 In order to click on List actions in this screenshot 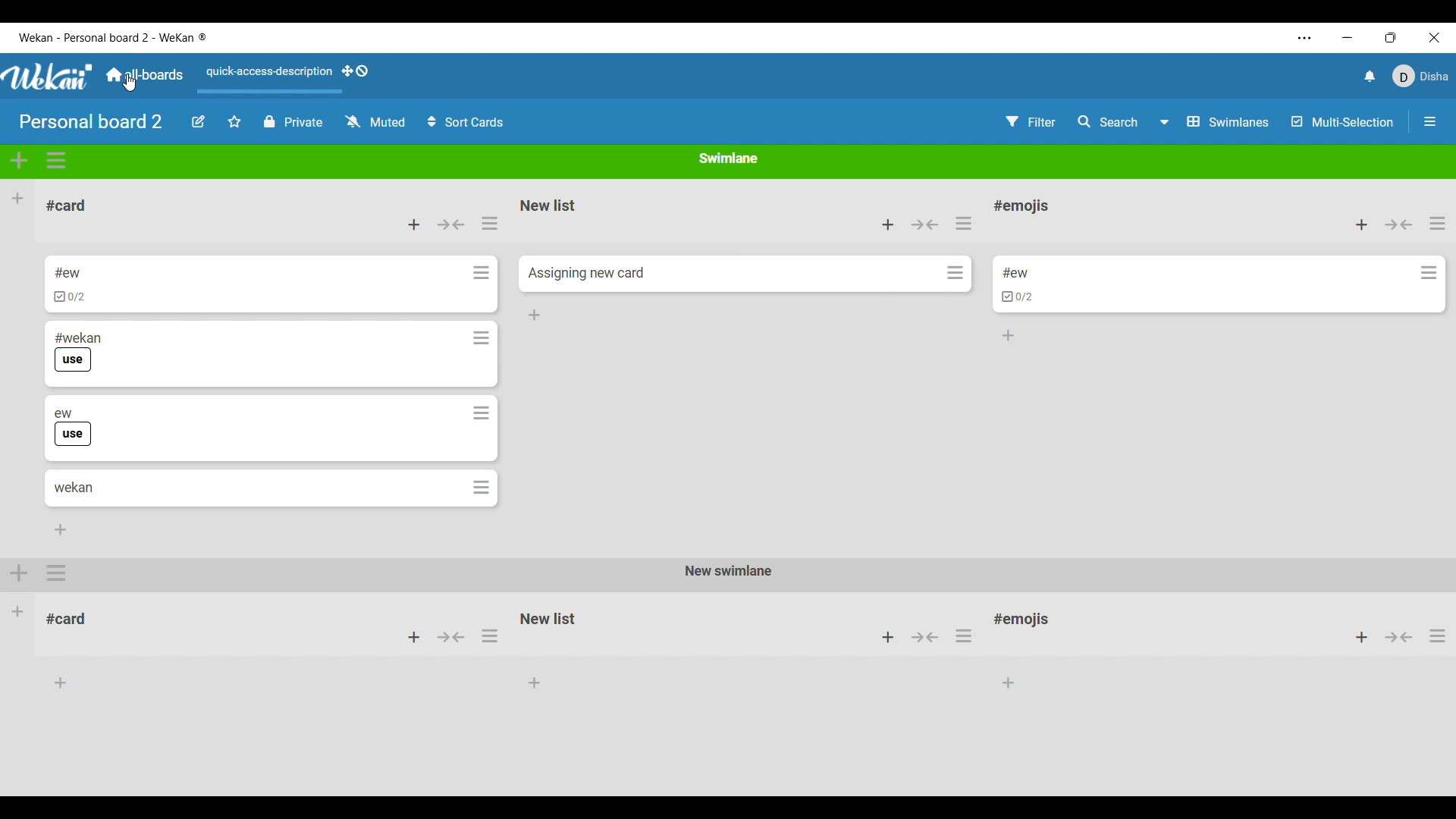, I will do `click(490, 224)`.